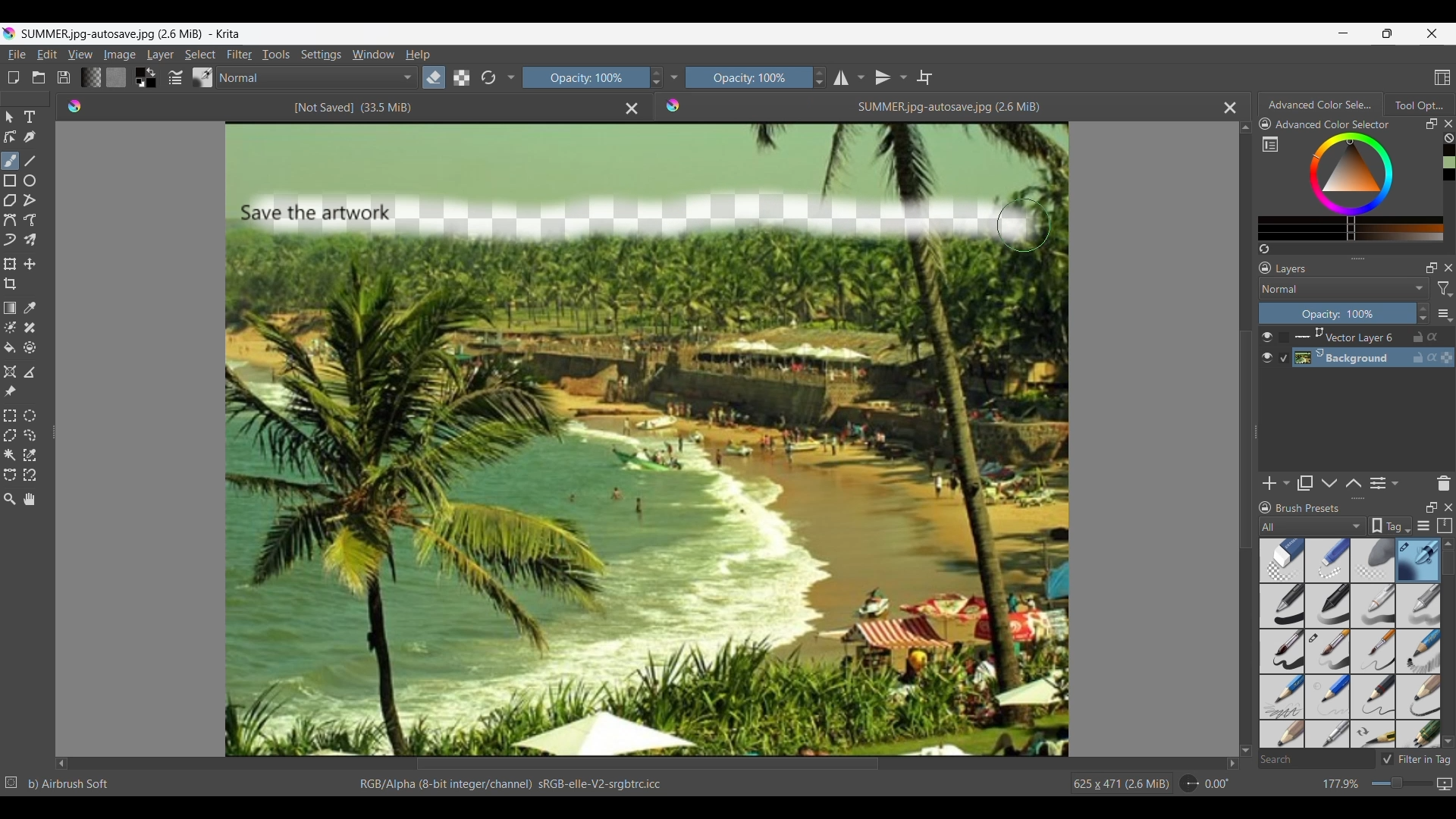 The width and height of the screenshot is (1456, 819). I want to click on SUMMER.jpg-autosave.jpg (2.6 MiB) - Krita, so click(135, 33).